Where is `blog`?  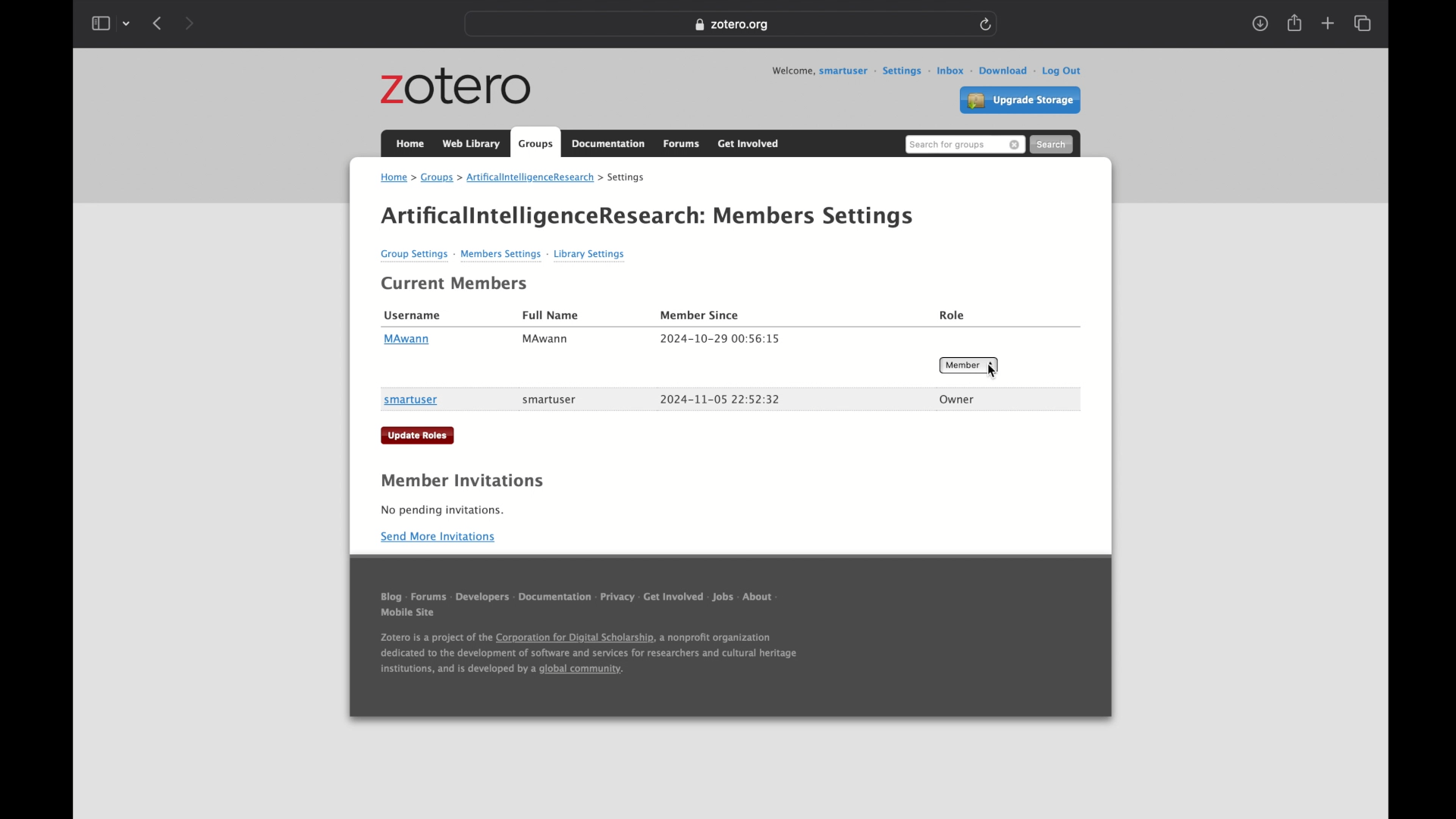 blog is located at coordinates (391, 599).